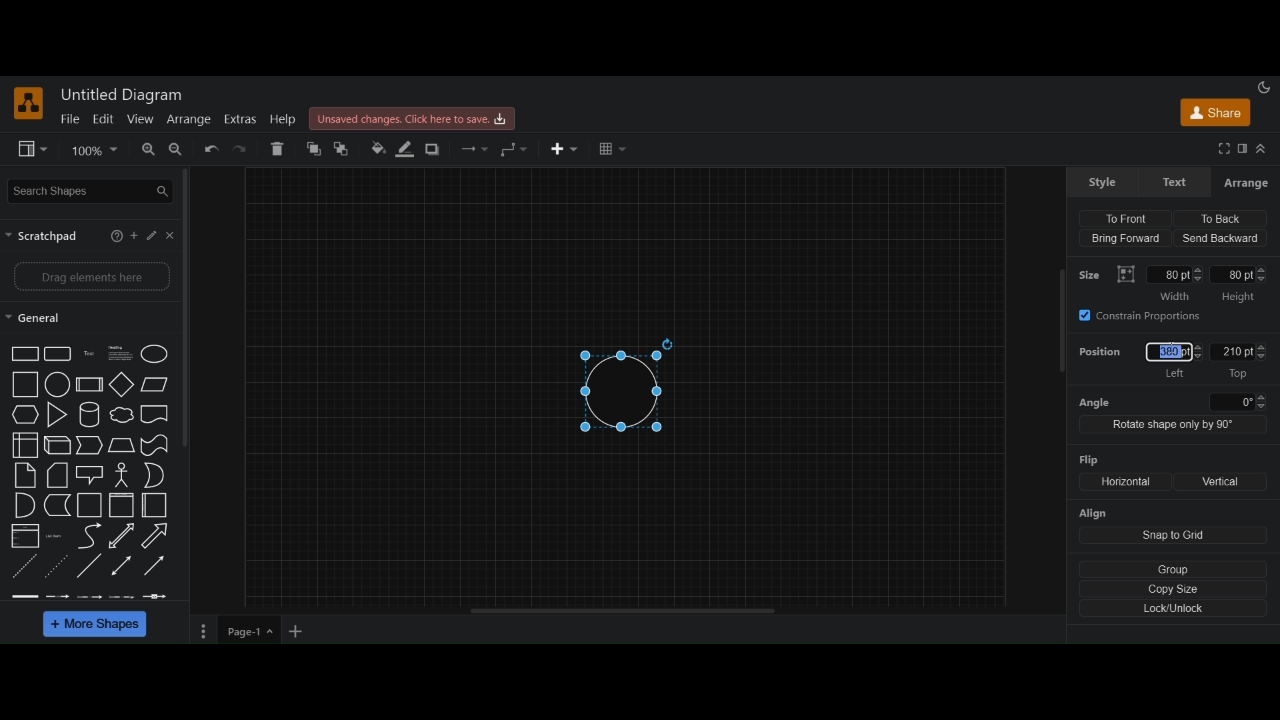 The height and width of the screenshot is (720, 1280). I want to click on arrow, so click(90, 445).